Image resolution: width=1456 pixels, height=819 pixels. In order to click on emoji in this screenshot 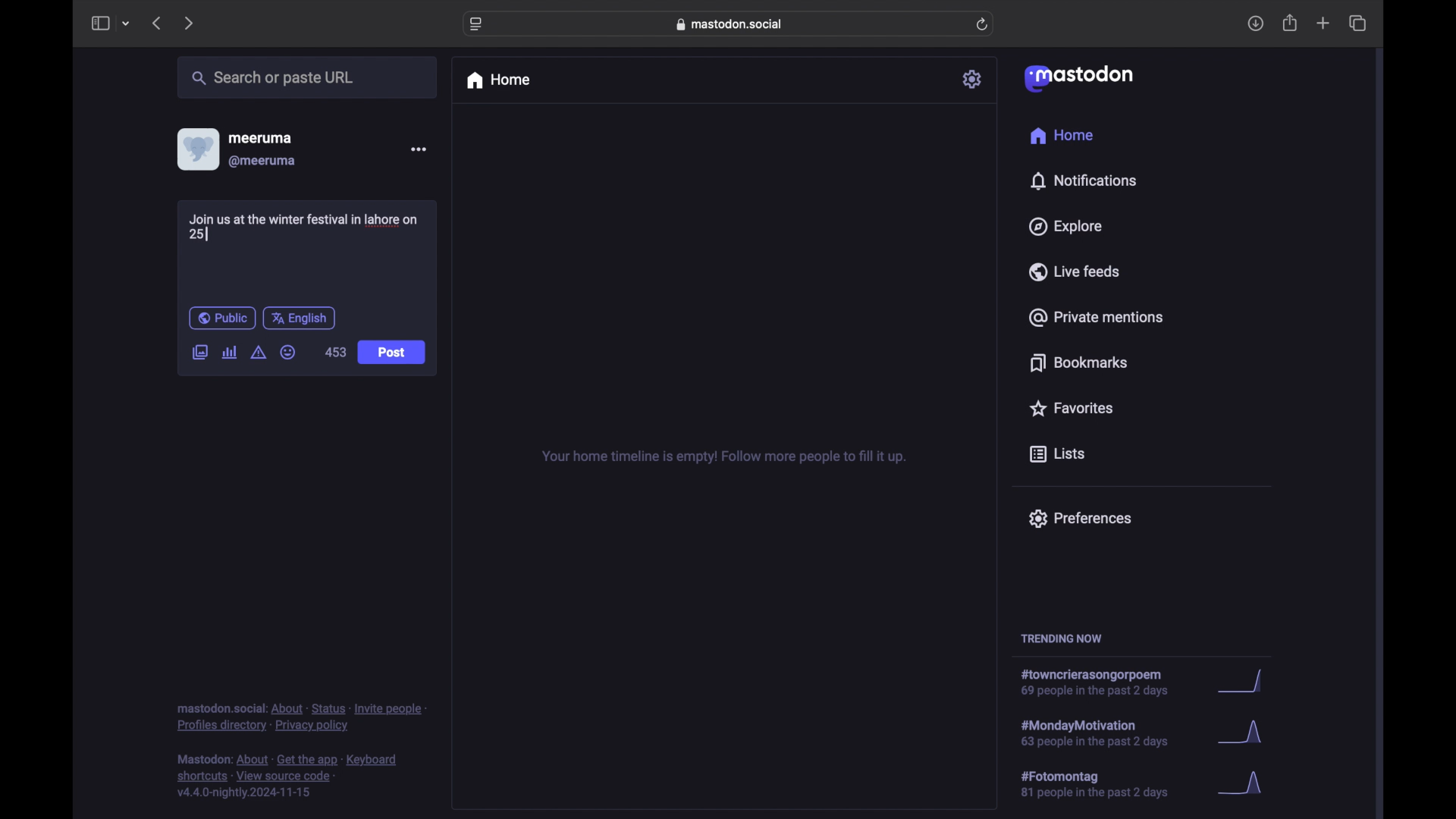, I will do `click(288, 353)`.